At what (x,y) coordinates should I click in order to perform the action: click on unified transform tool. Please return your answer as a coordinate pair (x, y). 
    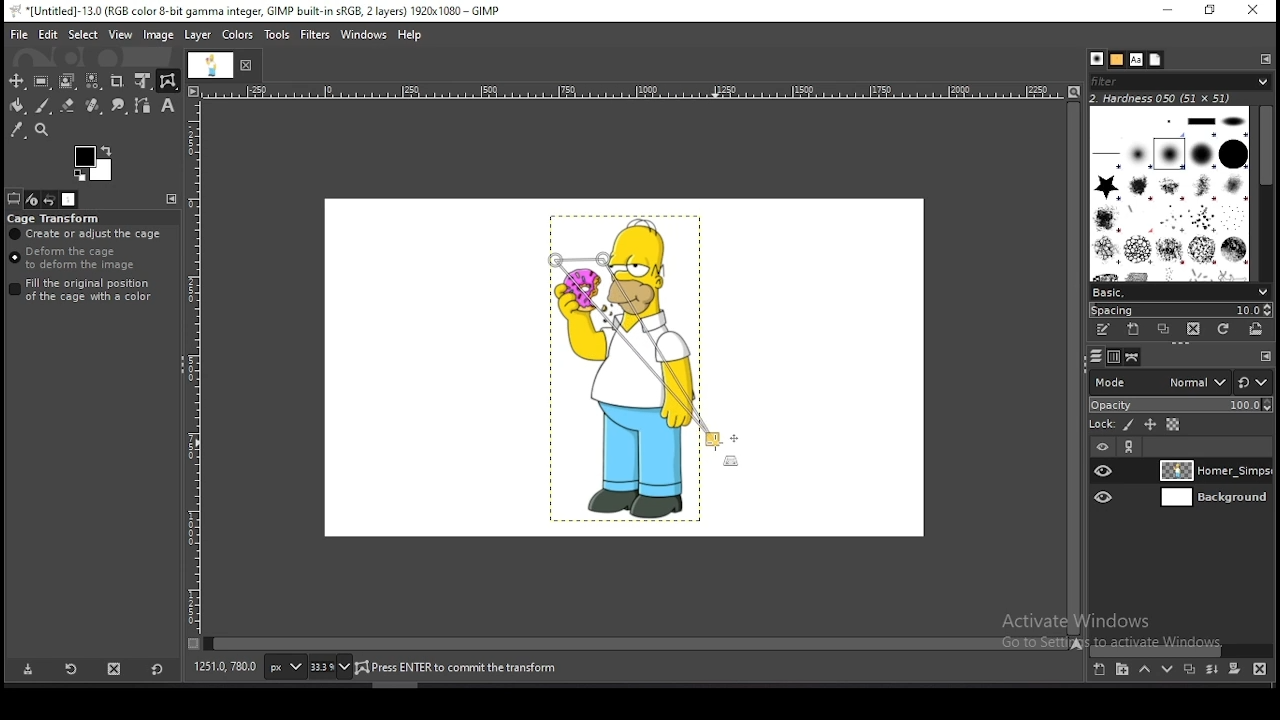
    Looking at the image, I should click on (143, 81).